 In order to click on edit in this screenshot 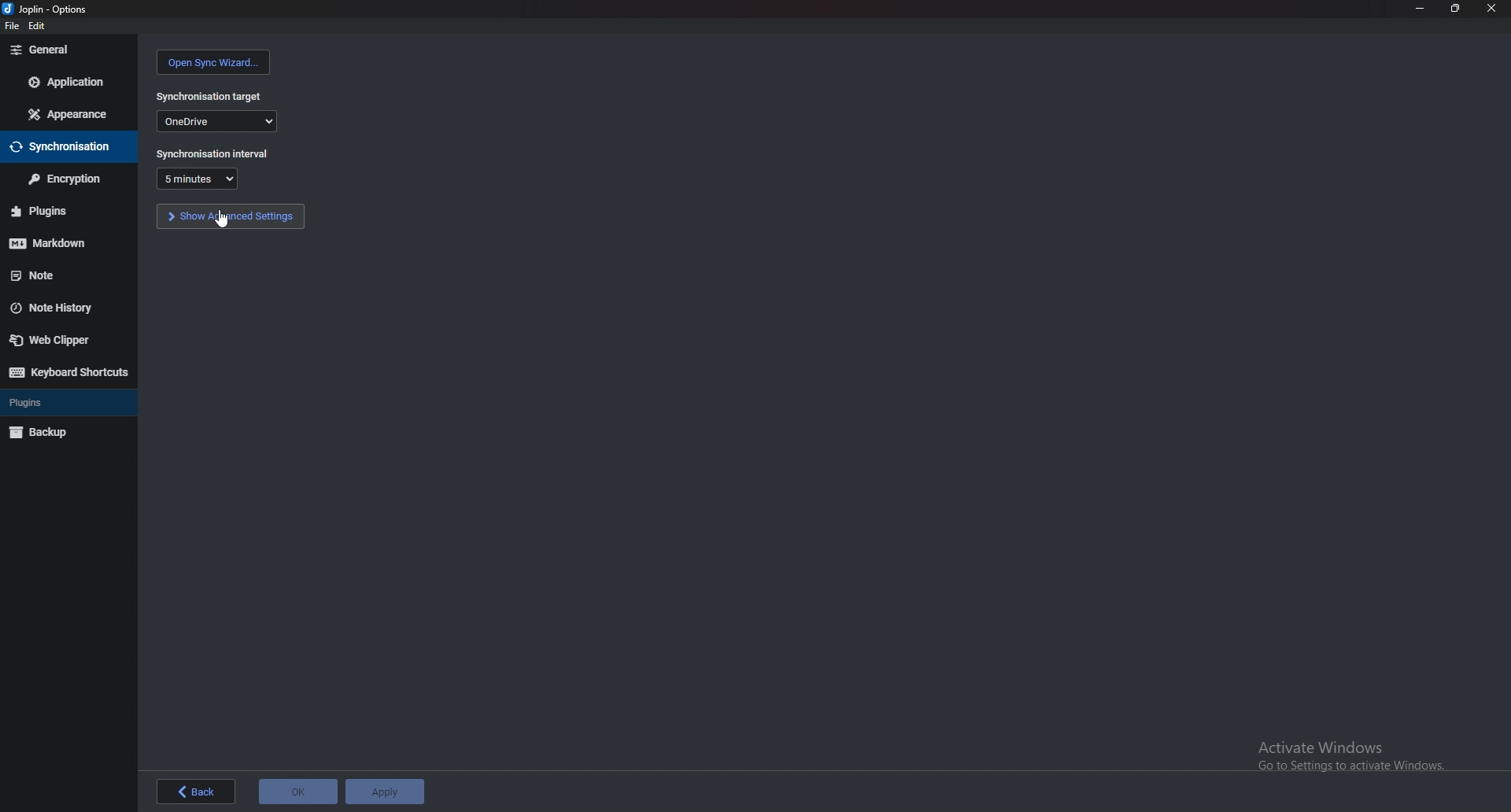, I will do `click(38, 24)`.